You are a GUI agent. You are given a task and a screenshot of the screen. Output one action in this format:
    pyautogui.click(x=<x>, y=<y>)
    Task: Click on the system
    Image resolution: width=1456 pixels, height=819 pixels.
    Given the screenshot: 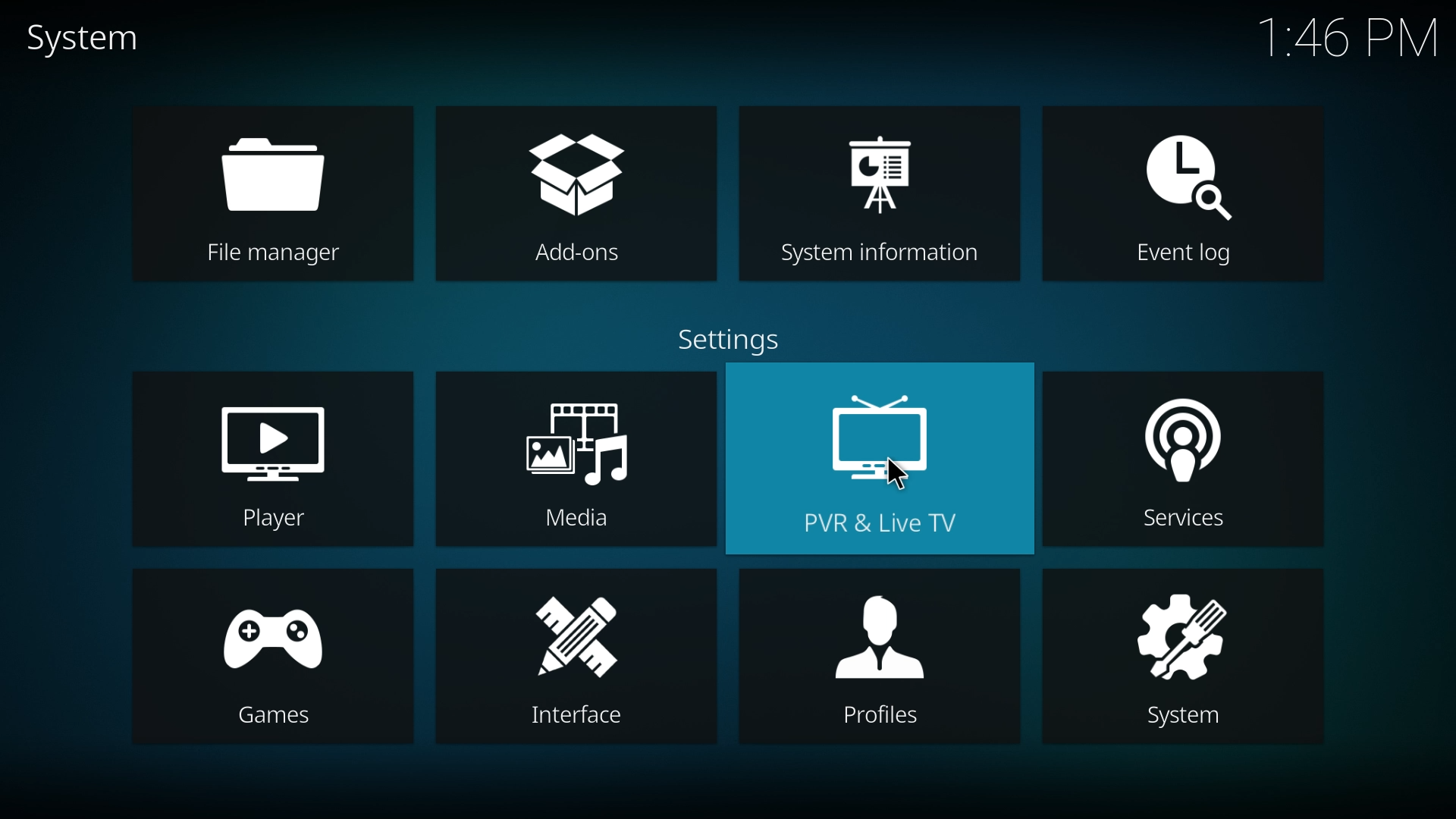 What is the action you would take?
    pyautogui.click(x=1181, y=657)
    